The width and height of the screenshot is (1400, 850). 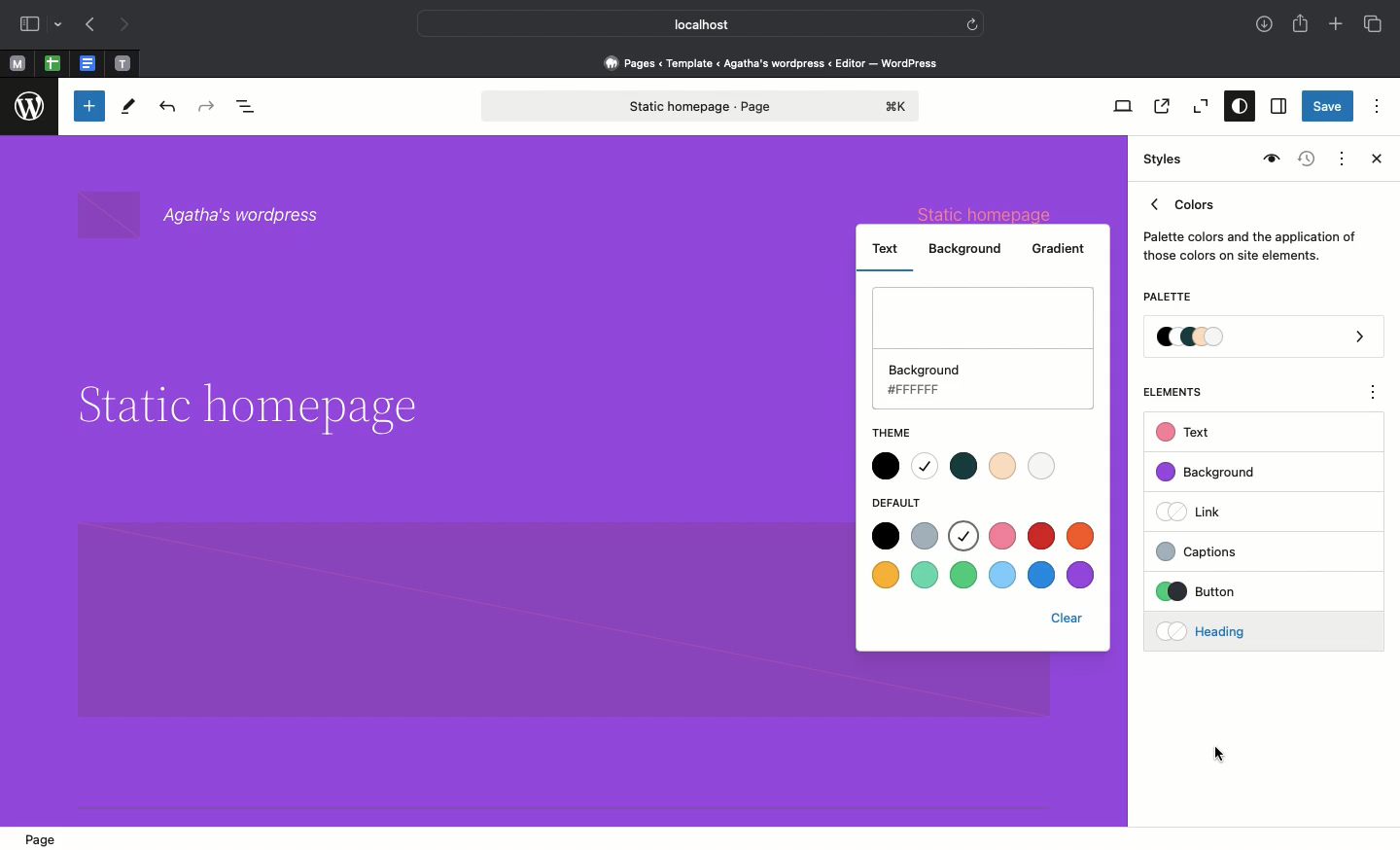 What do you see at coordinates (88, 26) in the screenshot?
I see `Previous page` at bounding box center [88, 26].